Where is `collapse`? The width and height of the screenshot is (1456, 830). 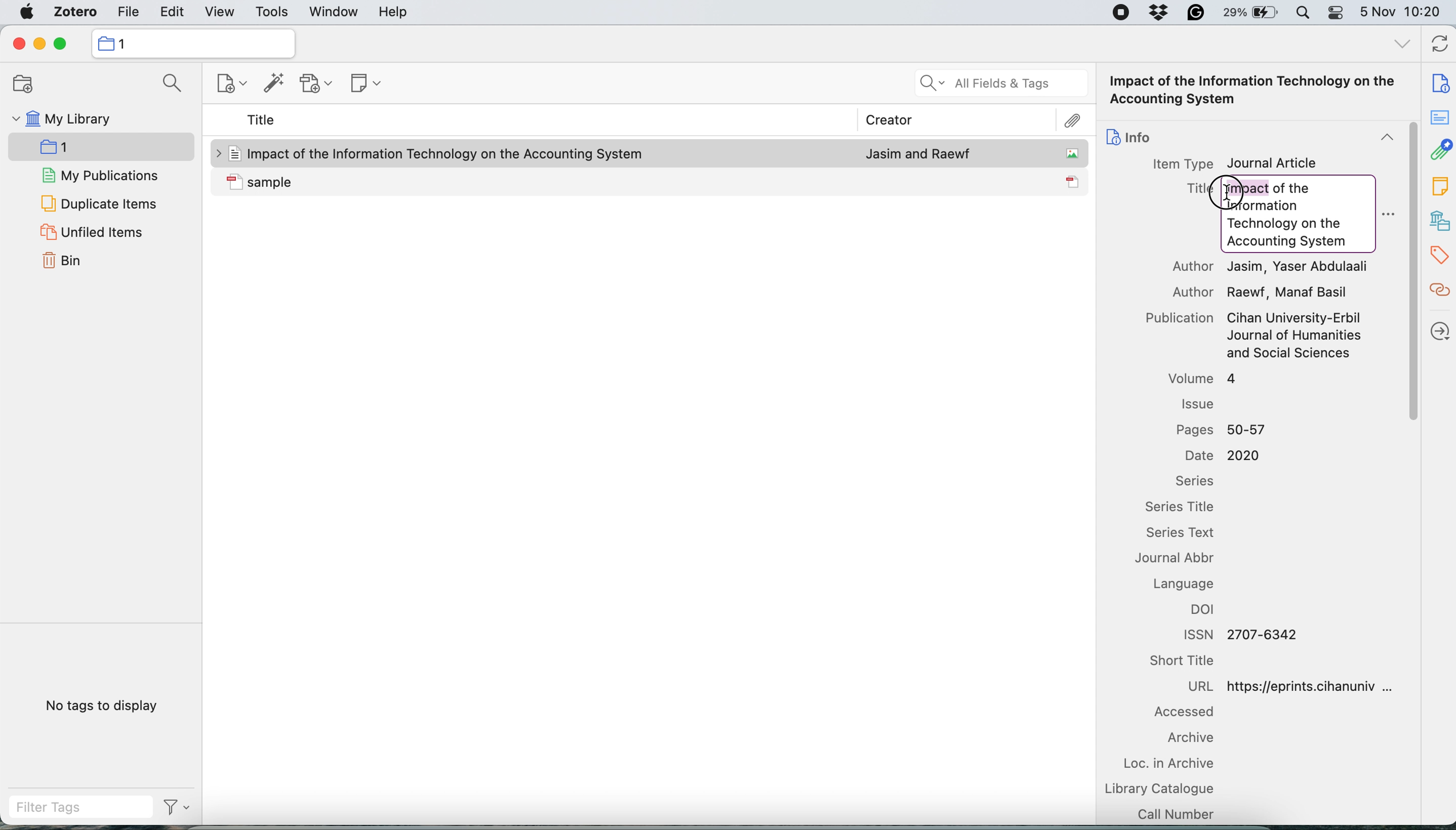
collapse is located at coordinates (1386, 137).